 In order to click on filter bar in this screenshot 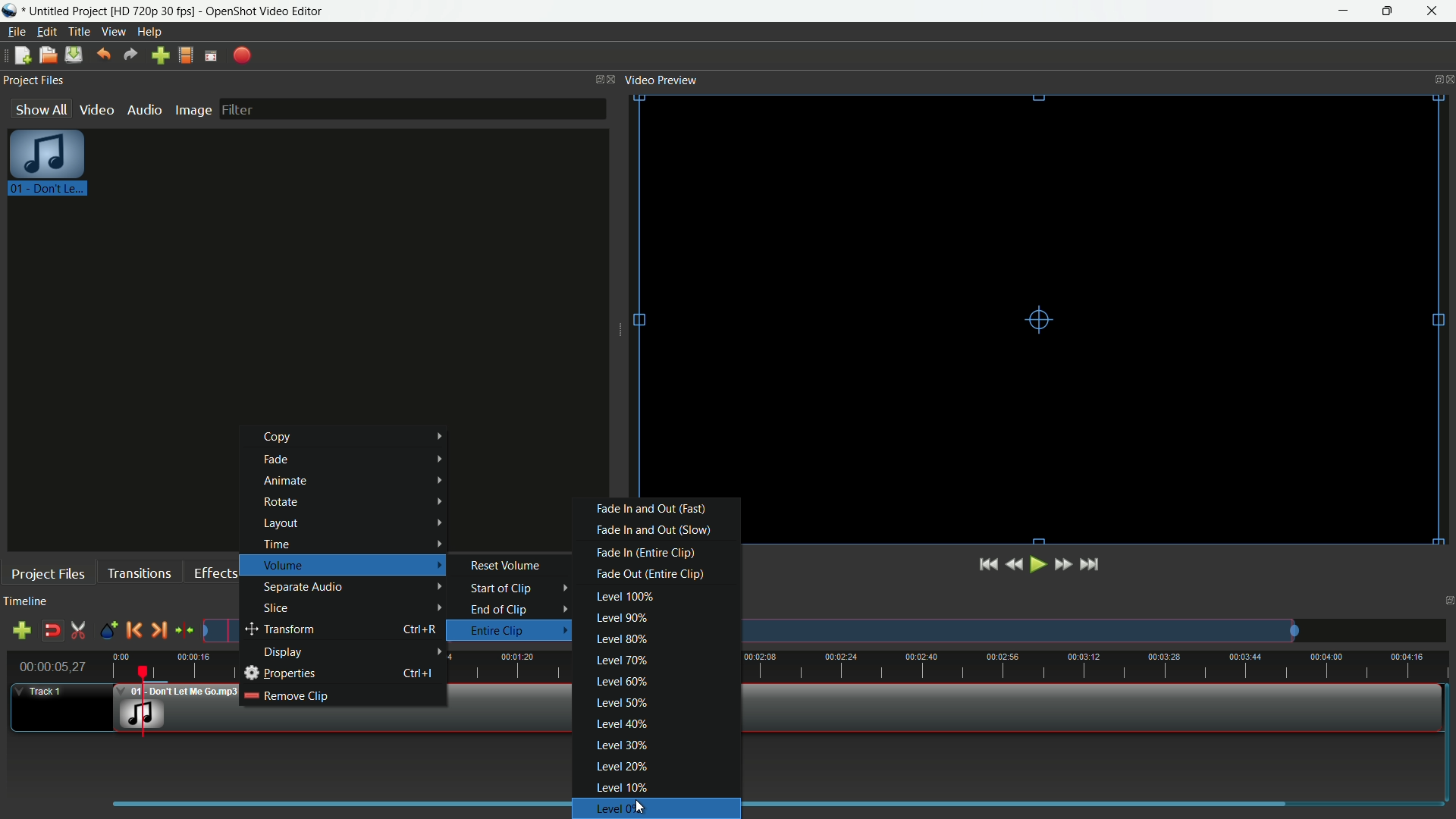, I will do `click(413, 108)`.